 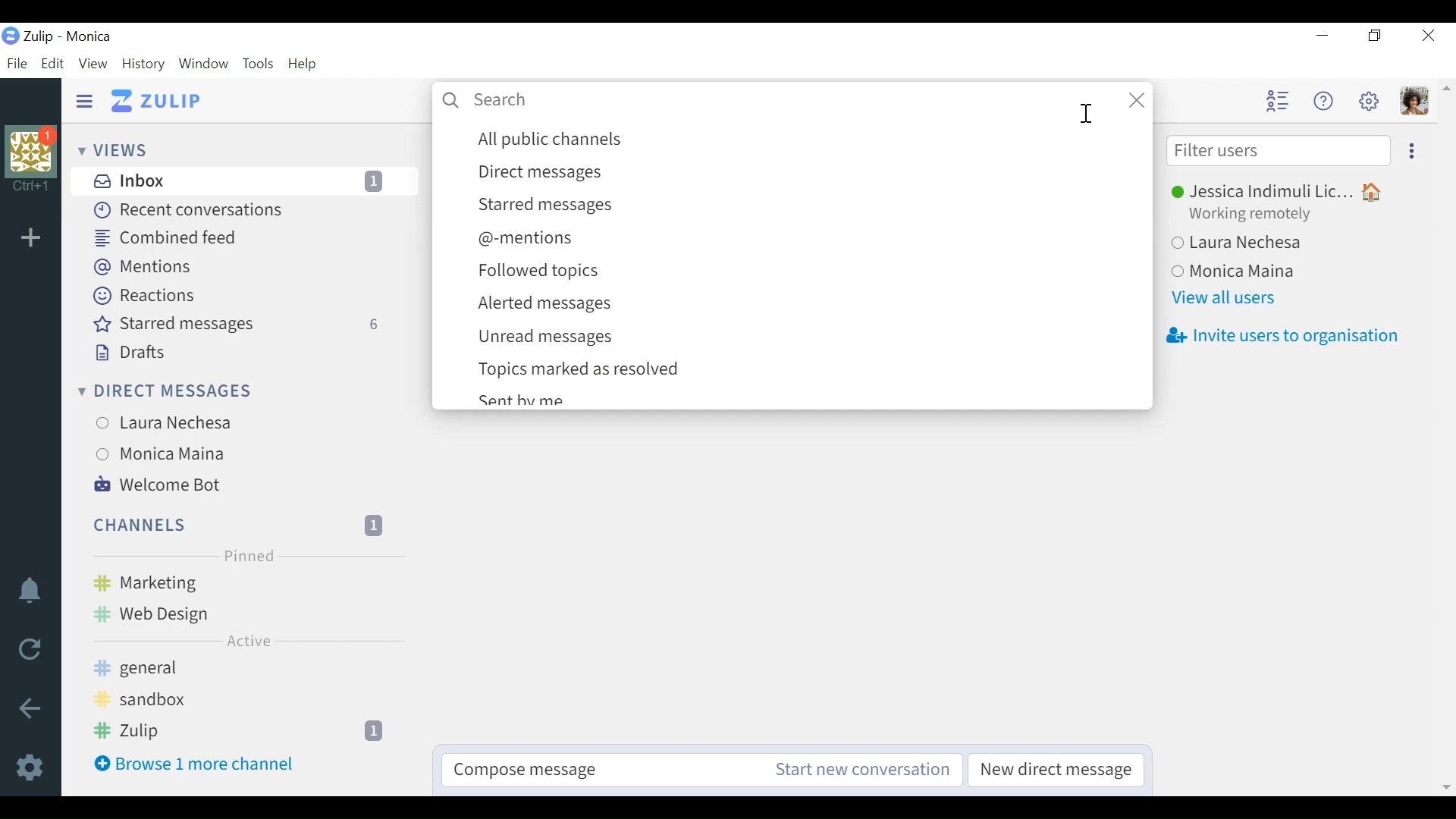 I want to click on Close, so click(x=1427, y=35).